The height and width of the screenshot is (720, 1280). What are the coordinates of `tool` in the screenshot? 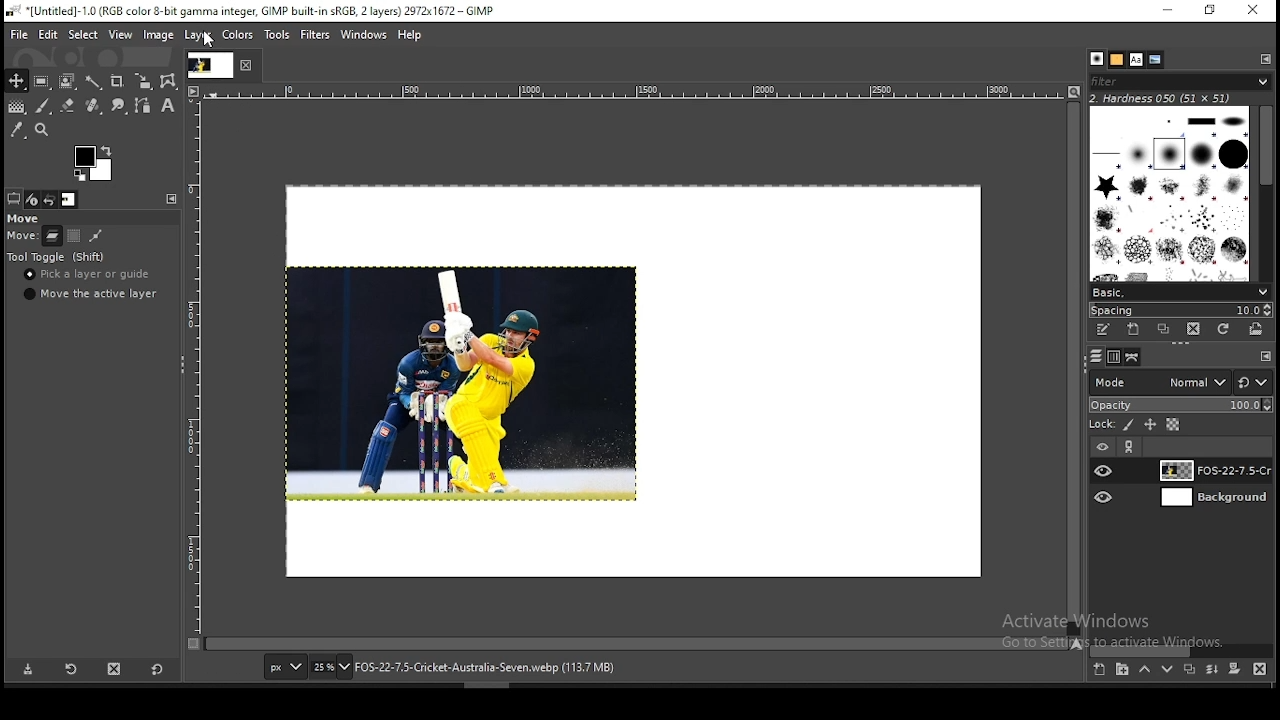 It's located at (1266, 357).